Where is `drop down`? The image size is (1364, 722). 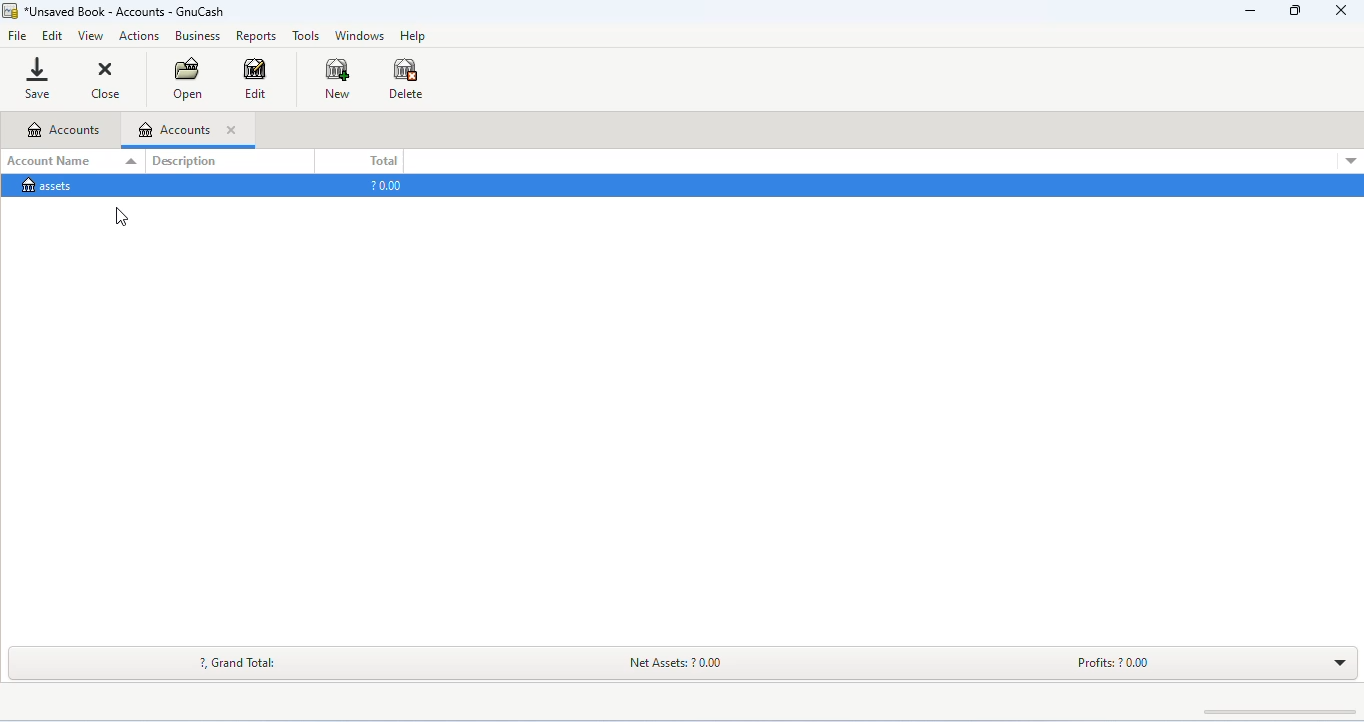
drop down is located at coordinates (1338, 663).